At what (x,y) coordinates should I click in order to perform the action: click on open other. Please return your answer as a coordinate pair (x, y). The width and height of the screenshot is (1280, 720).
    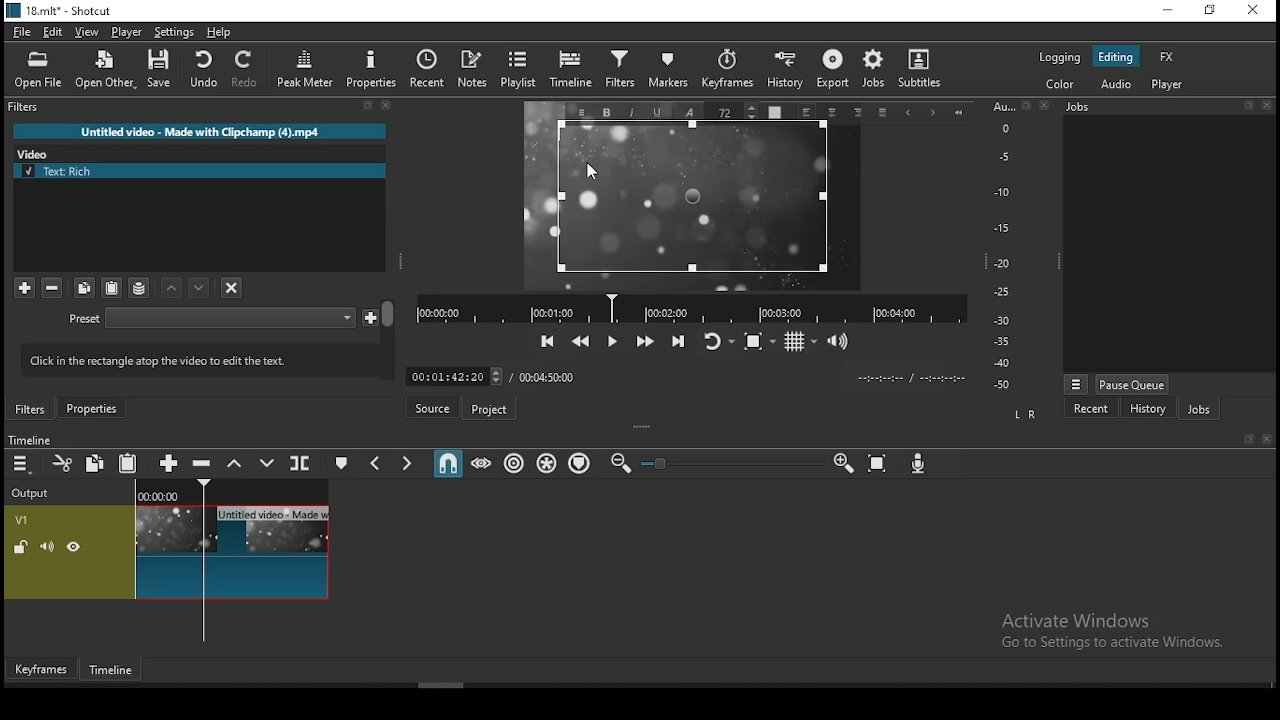
    Looking at the image, I should click on (104, 70).